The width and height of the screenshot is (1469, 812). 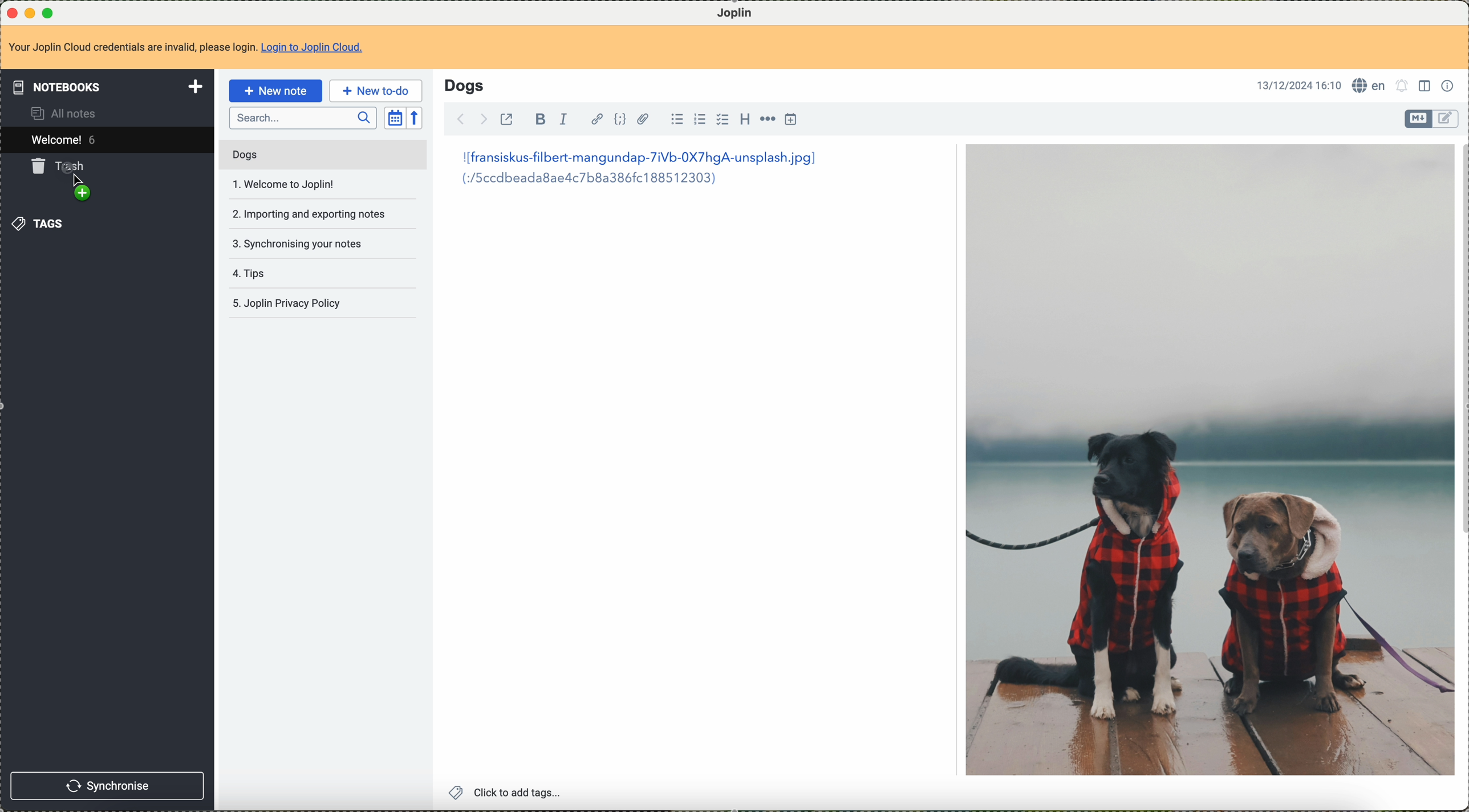 I want to click on heading, so click(x=745, y=120).